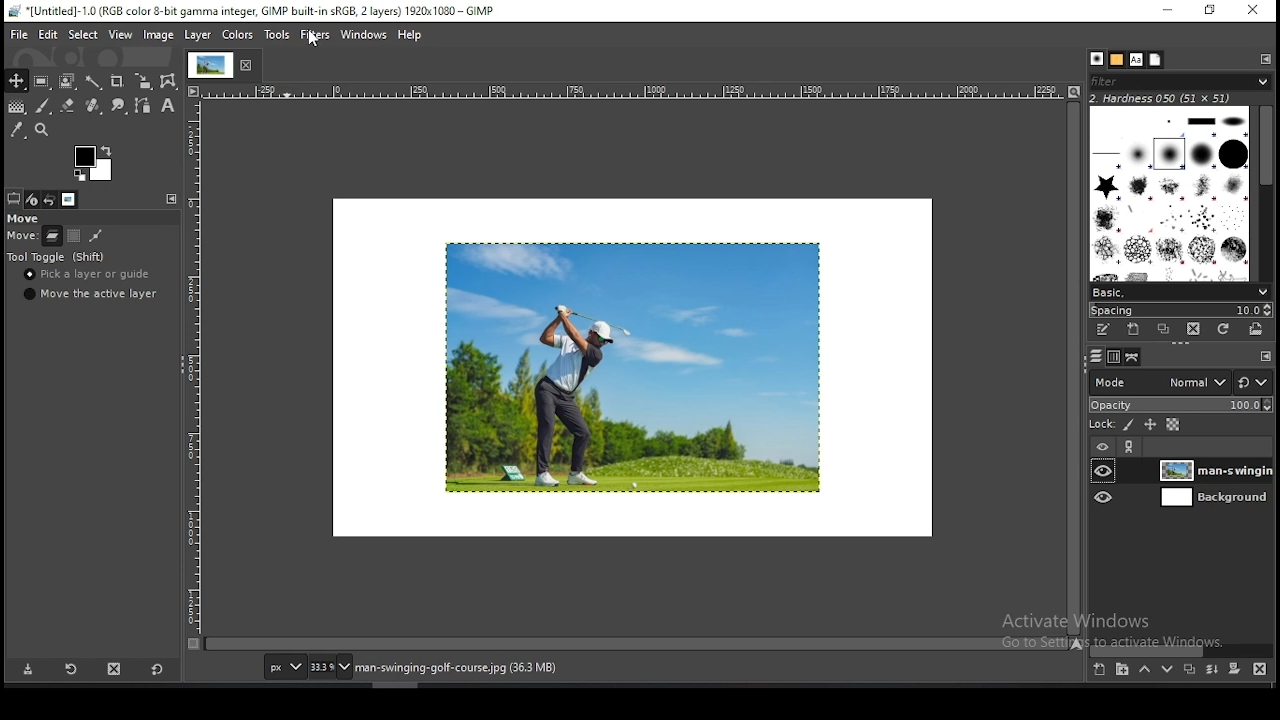  I want to click on mouse pointer, so click(319, 39).